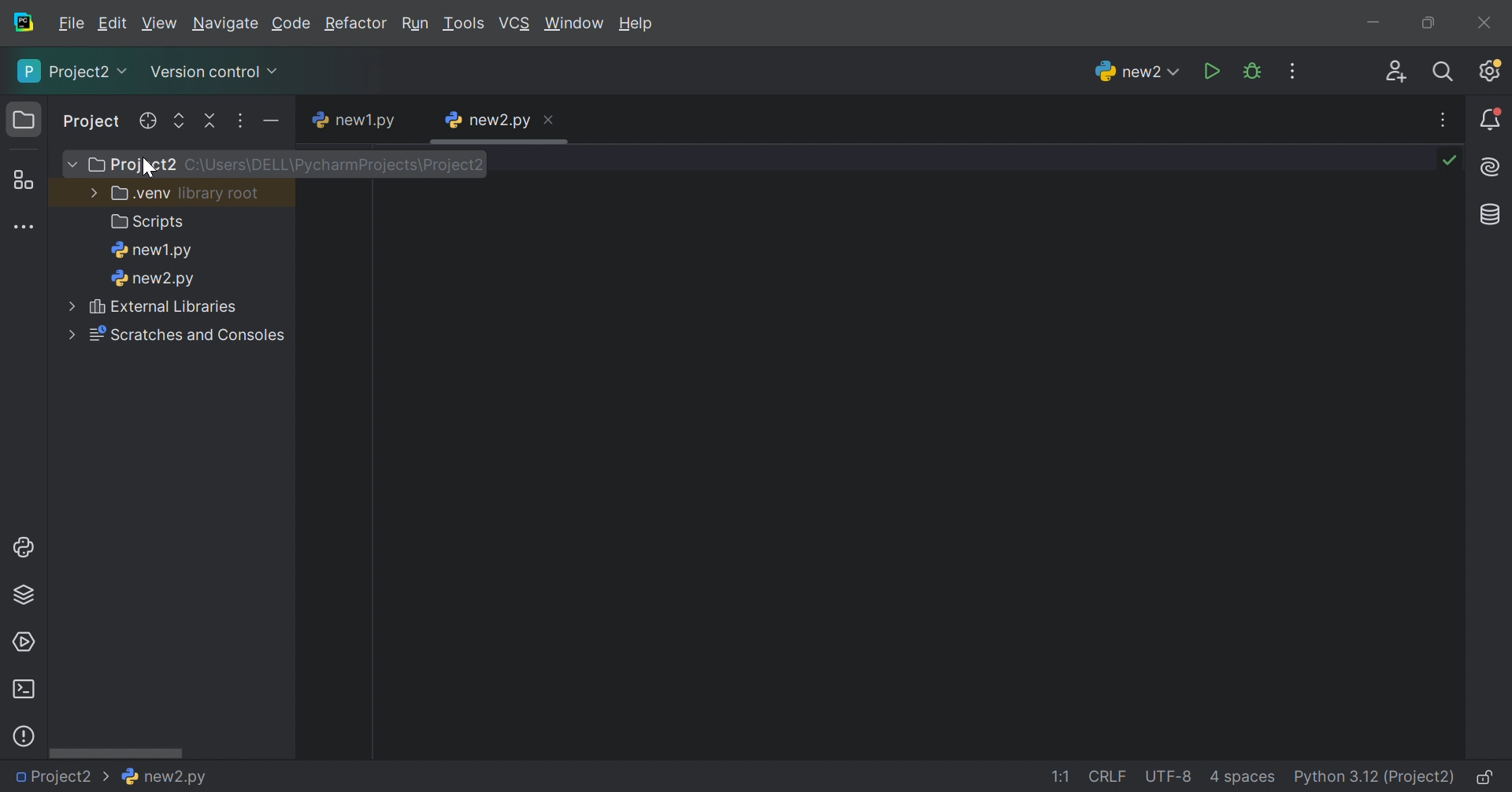 The width and height of the screenshot is (1512, 792). I want to click on new1.py, so click(154, 250).